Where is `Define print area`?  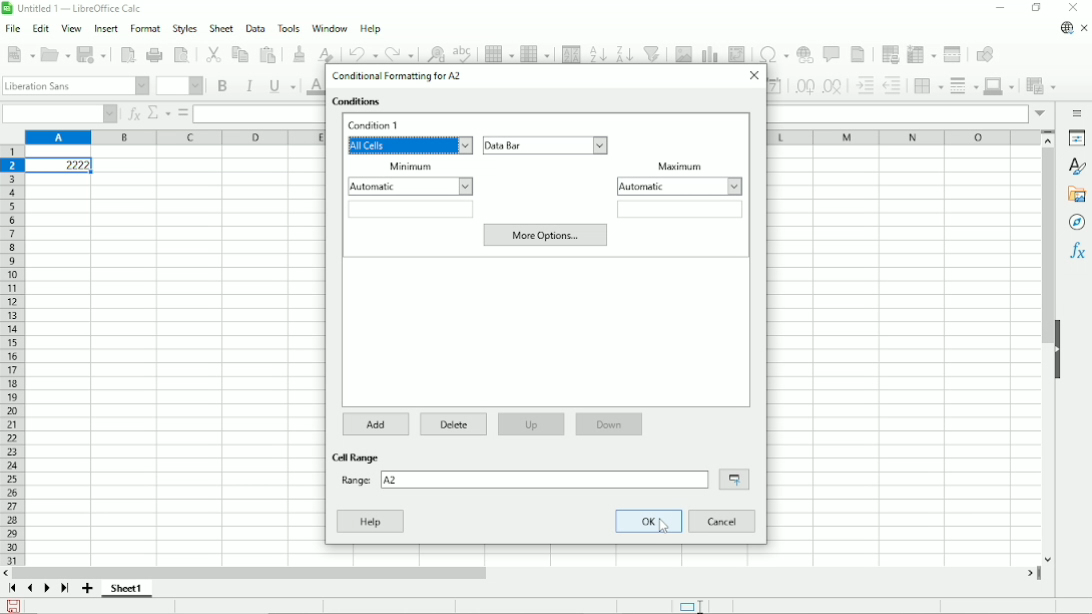
Define print area is located at coordinates (891, 54).